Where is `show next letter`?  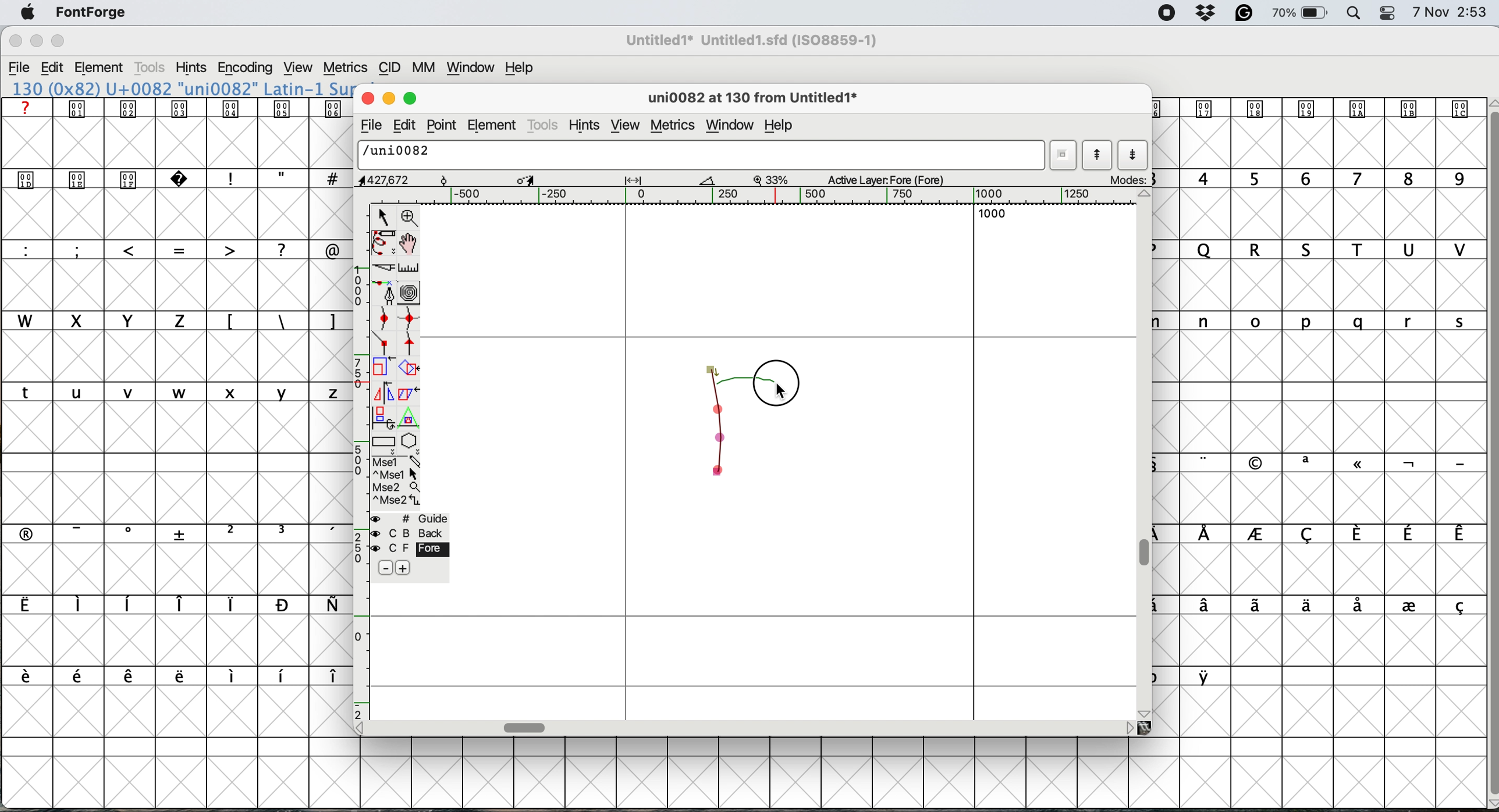 show next letter is located at coordinates (1132, 156).